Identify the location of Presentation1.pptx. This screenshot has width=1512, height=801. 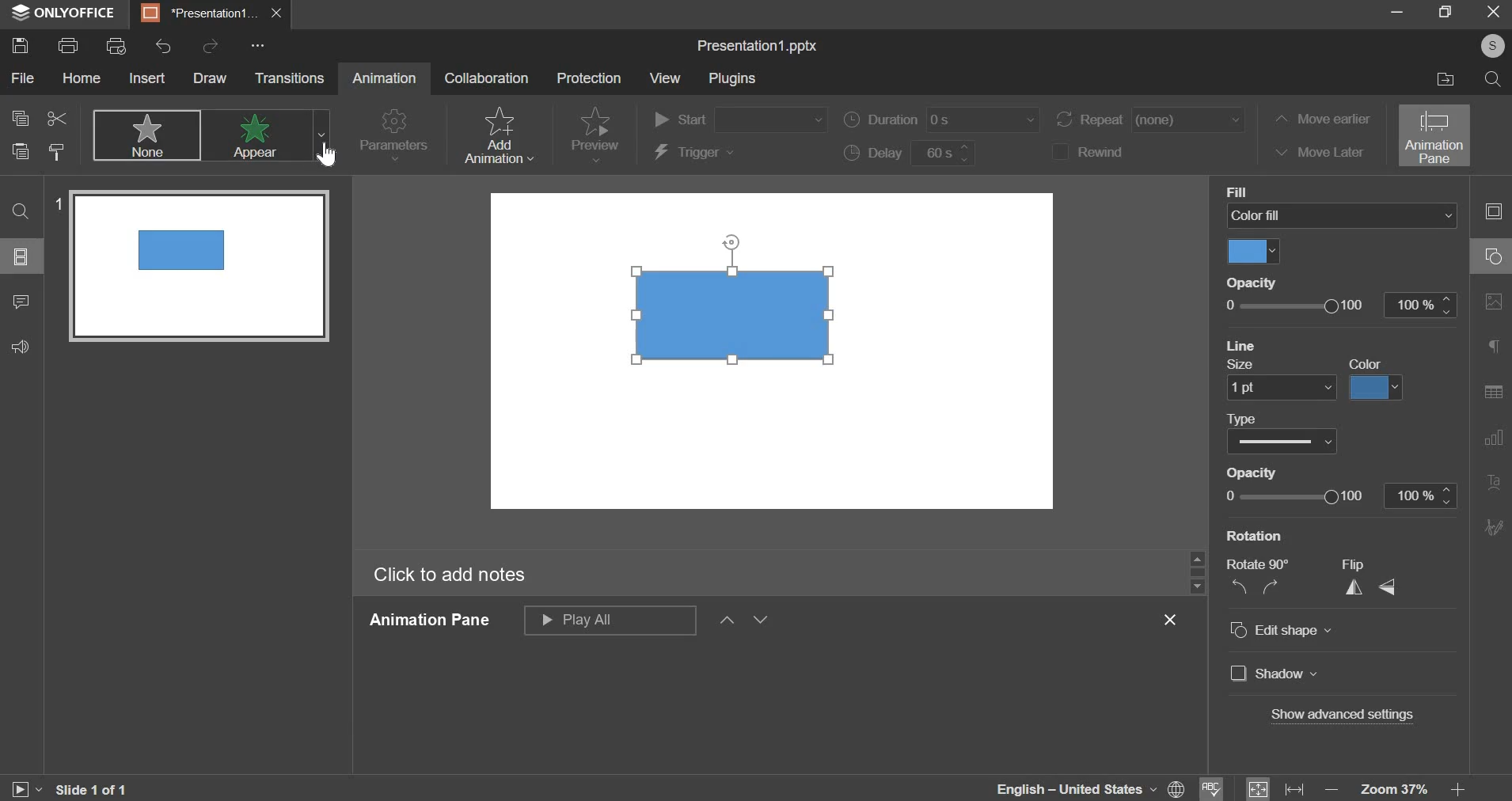
(762, 44).